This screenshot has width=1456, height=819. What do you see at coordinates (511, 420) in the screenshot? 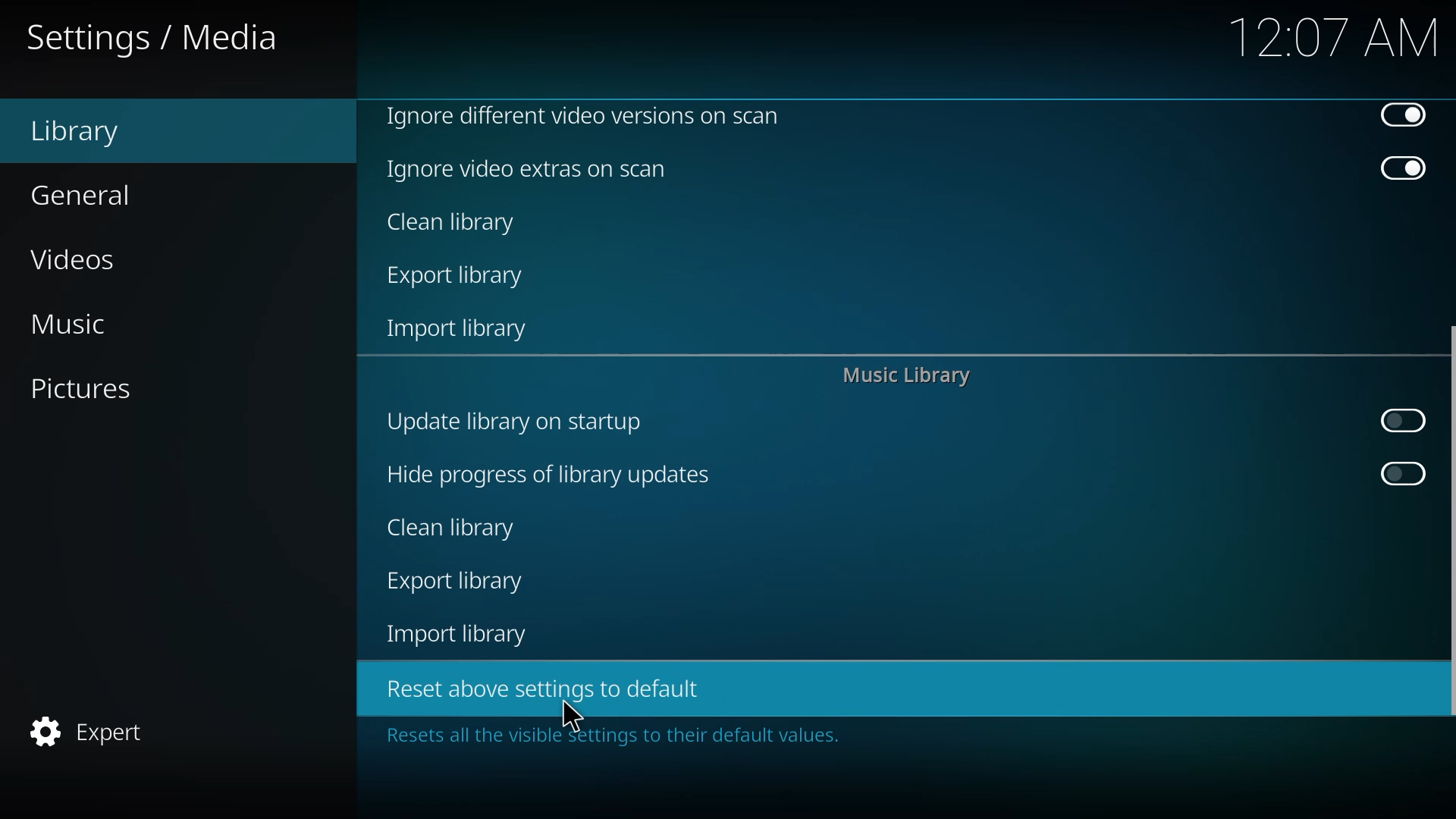
I see `update library` at bounding box center [511, 420].